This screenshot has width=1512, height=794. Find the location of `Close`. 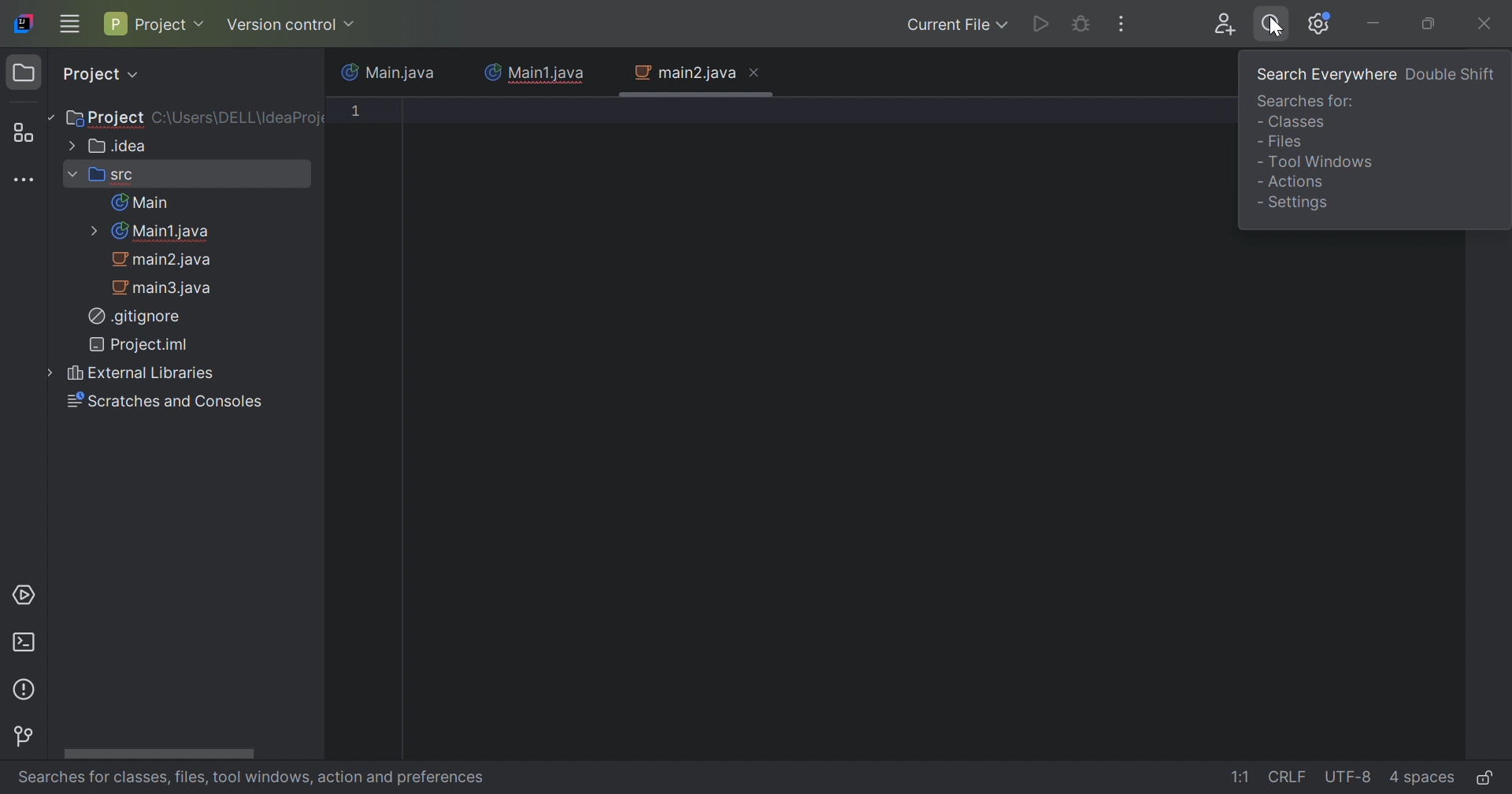

Close is located at coordinates (755, 73).